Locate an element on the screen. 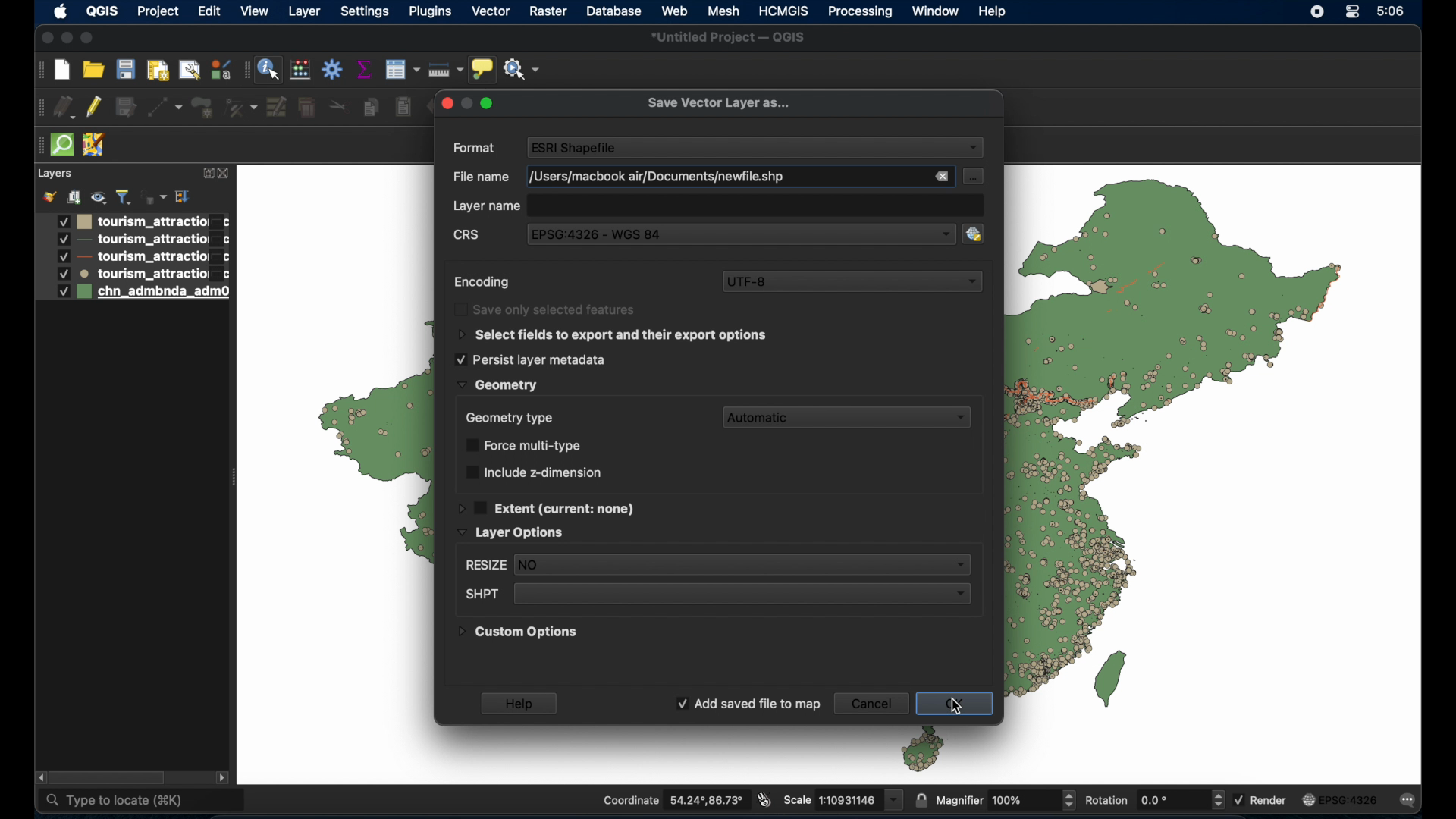 The height and width of the screenshot is (819, 1456). edit is located at coordinates (209, 13).